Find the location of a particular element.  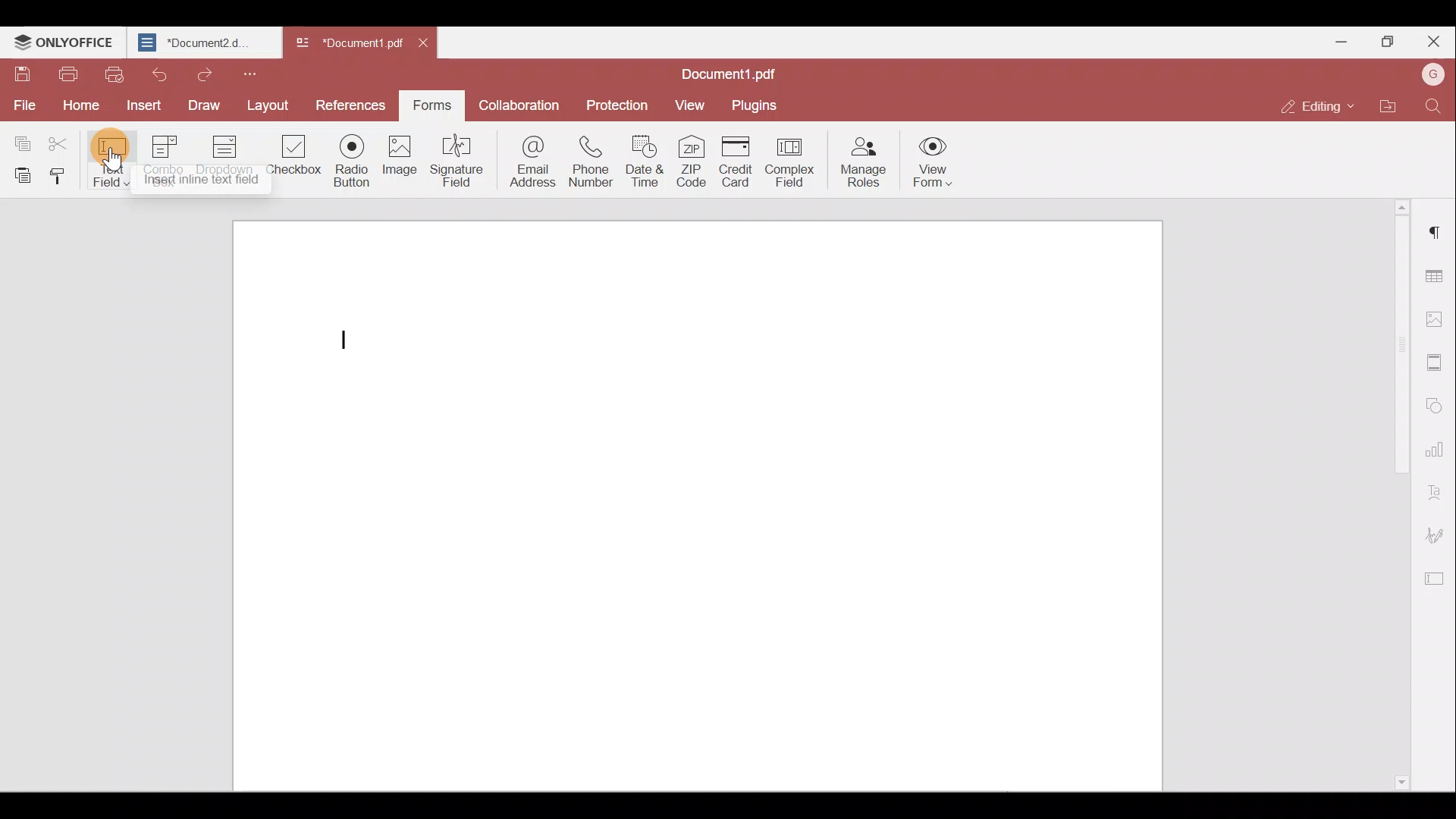

Image is located at coordinates (406, 161).